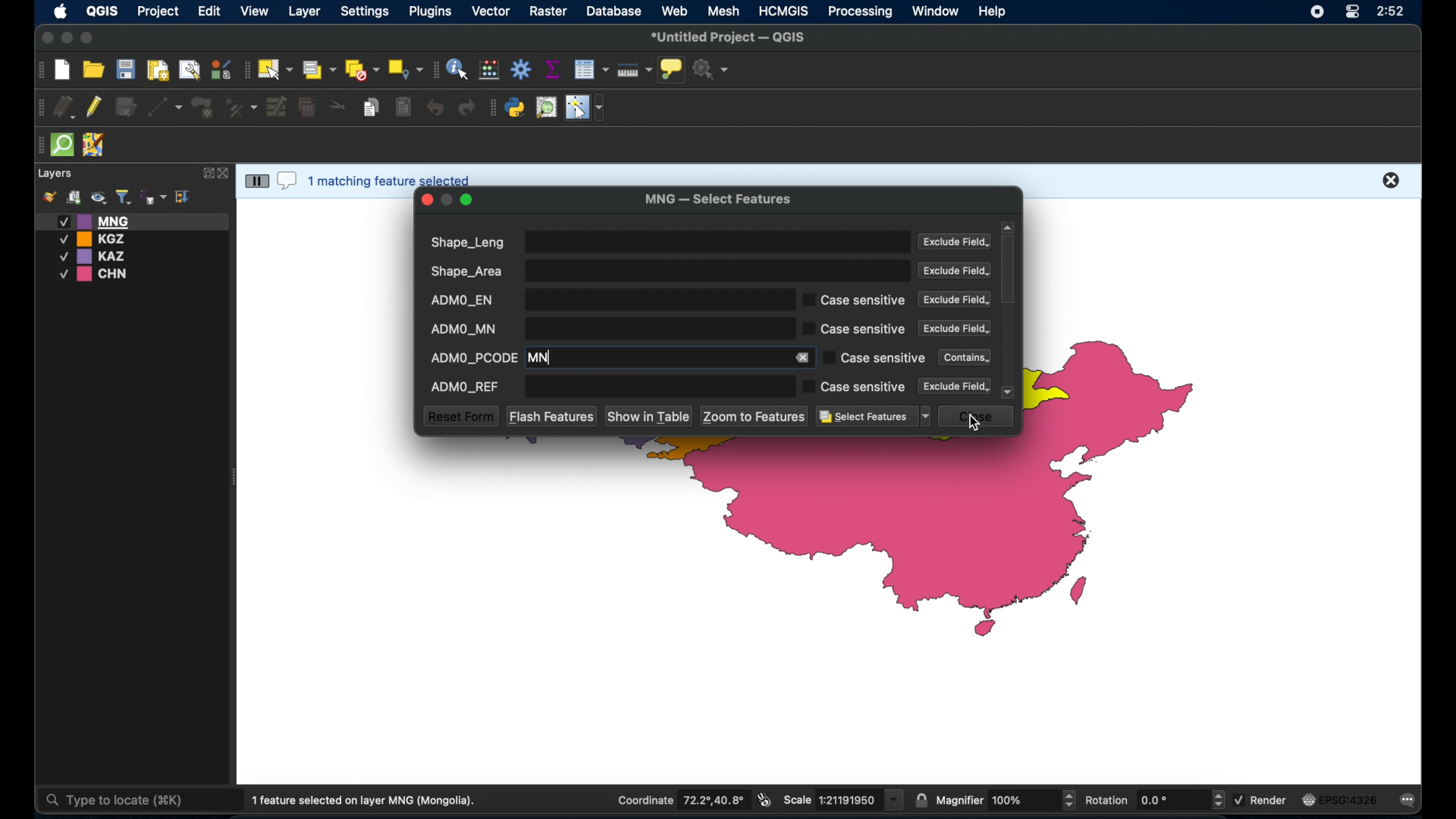  What do you see at coordinates (101, 14) in the screenshot?
I see `QGIS` at bounding box center [101, 14].